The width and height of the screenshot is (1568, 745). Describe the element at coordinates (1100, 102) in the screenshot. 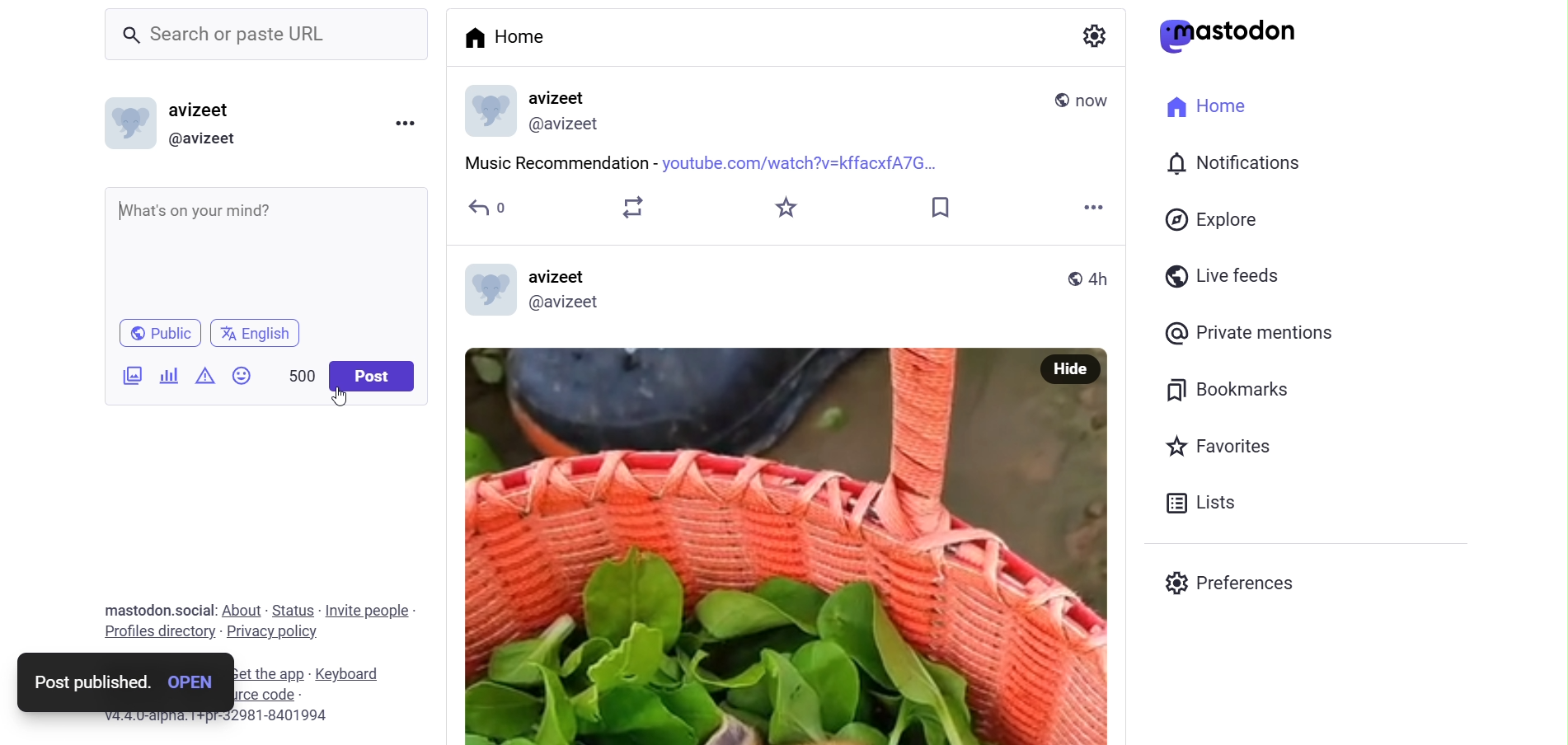

I see `now` at that location.